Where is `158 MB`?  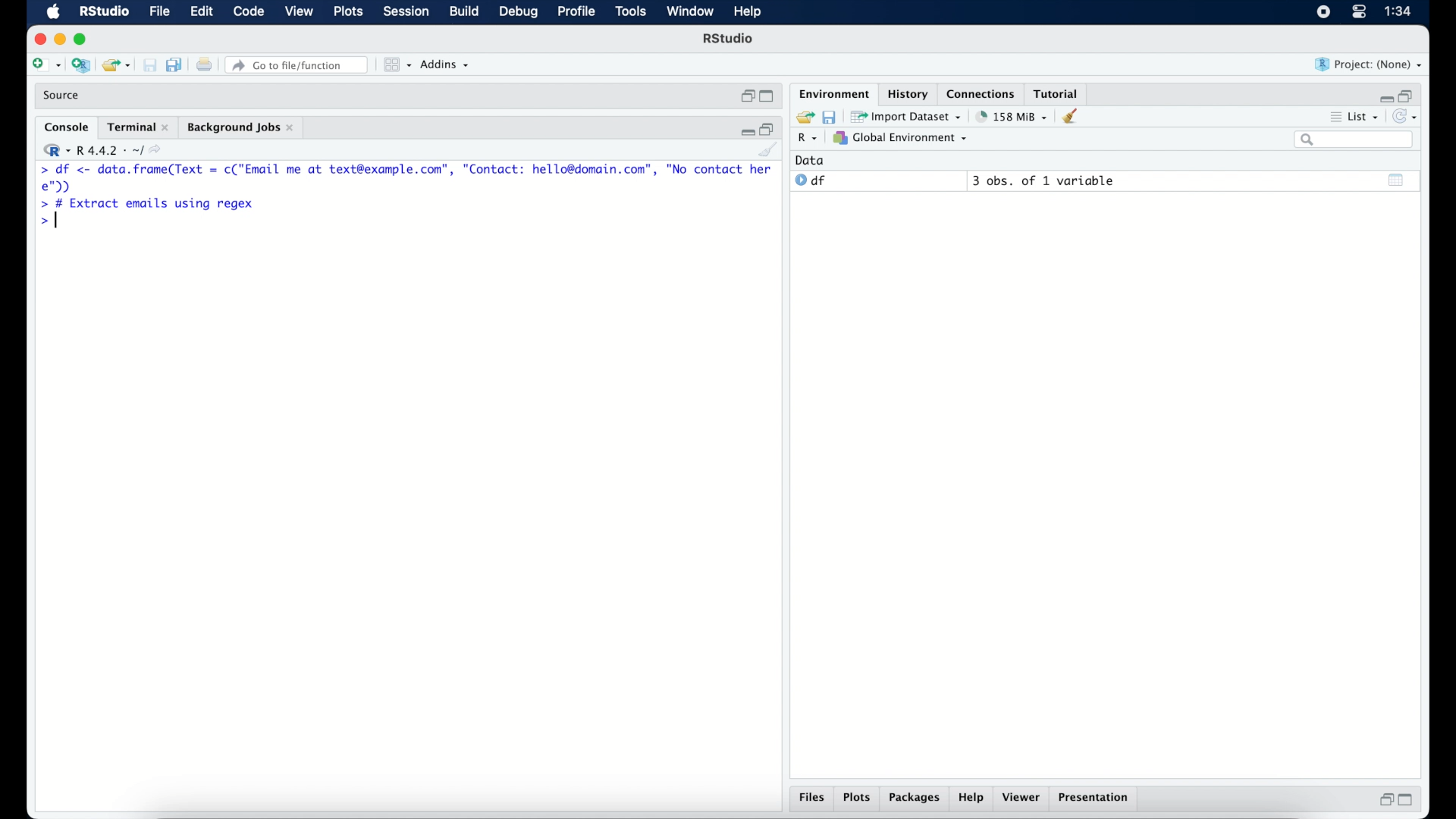 158 MB is located at coordinates (1013, 116).